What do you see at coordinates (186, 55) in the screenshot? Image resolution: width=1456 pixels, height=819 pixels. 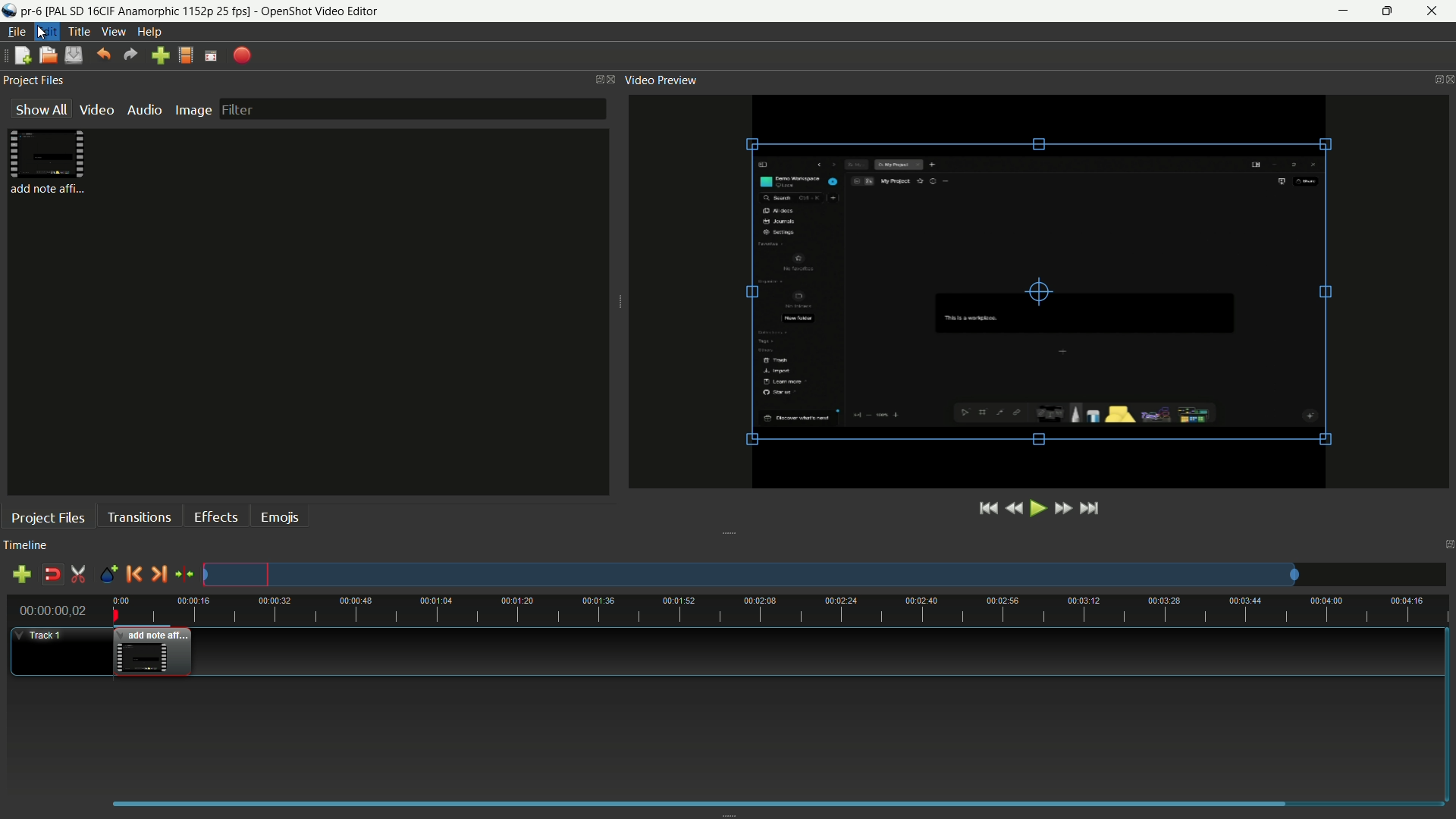 I see `profile` at bounding box center [186, 55].